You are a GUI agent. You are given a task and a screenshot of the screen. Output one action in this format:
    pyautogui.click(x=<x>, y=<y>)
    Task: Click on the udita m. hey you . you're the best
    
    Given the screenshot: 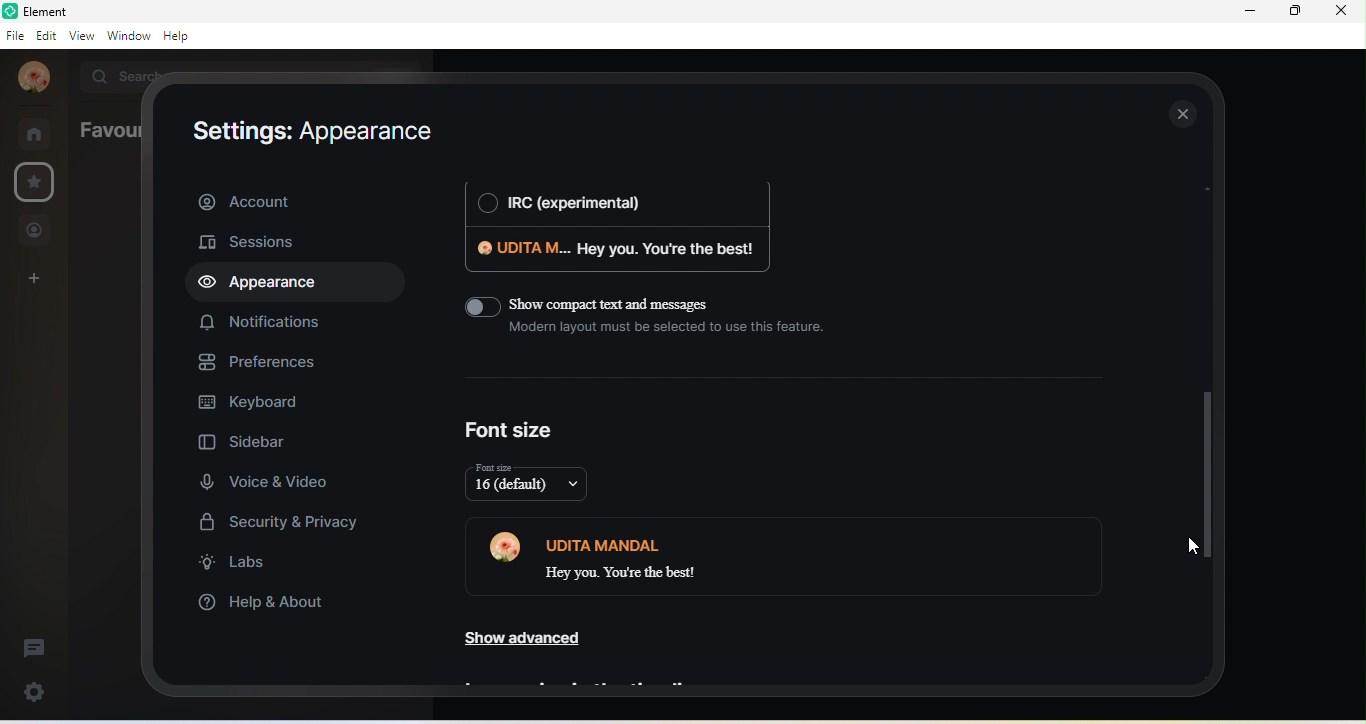 What is the action you would take?
    pyautogui.click(x=613, y=254)
    